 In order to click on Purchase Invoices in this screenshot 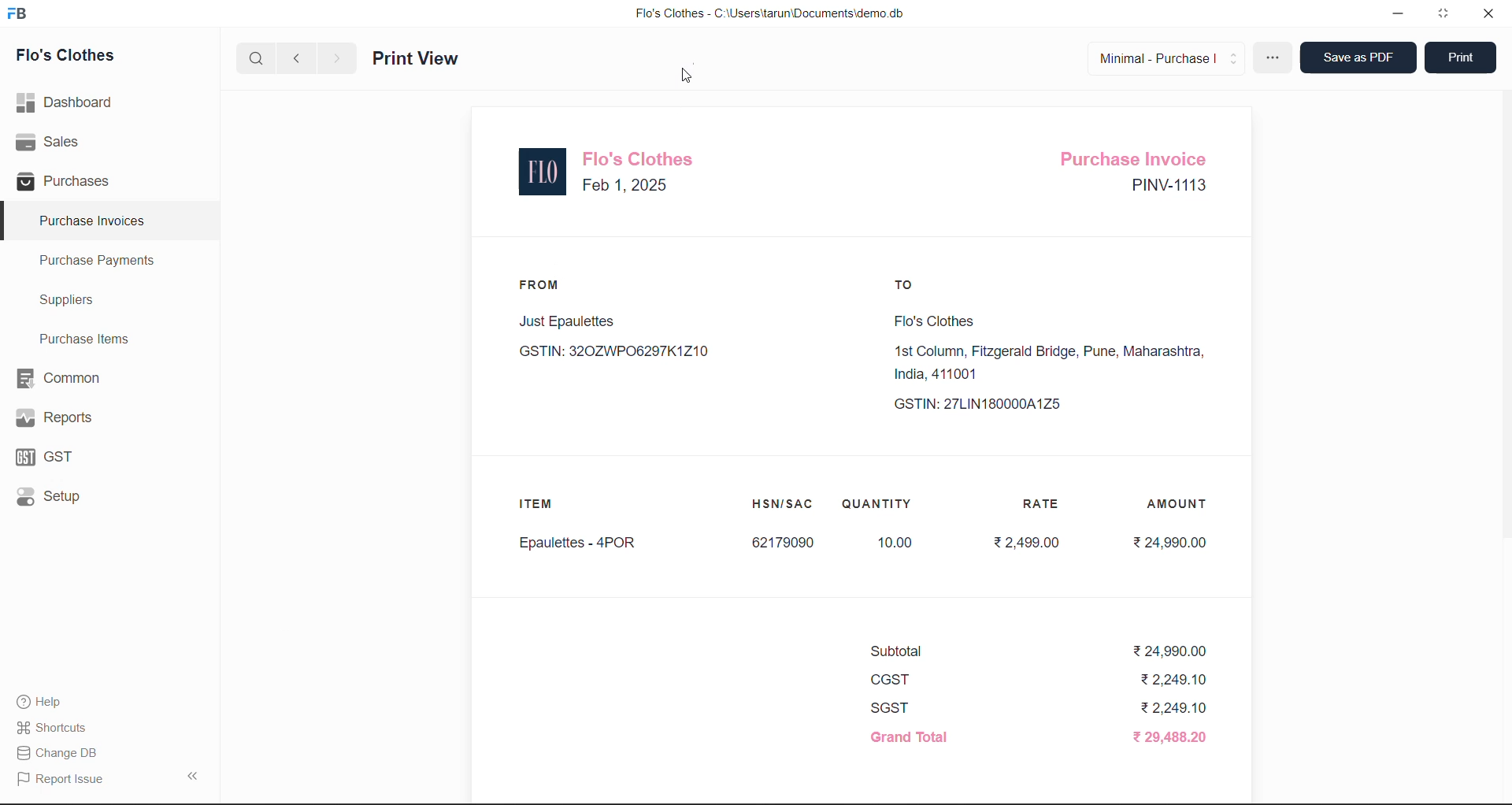, I will do `click(93, 221)`.